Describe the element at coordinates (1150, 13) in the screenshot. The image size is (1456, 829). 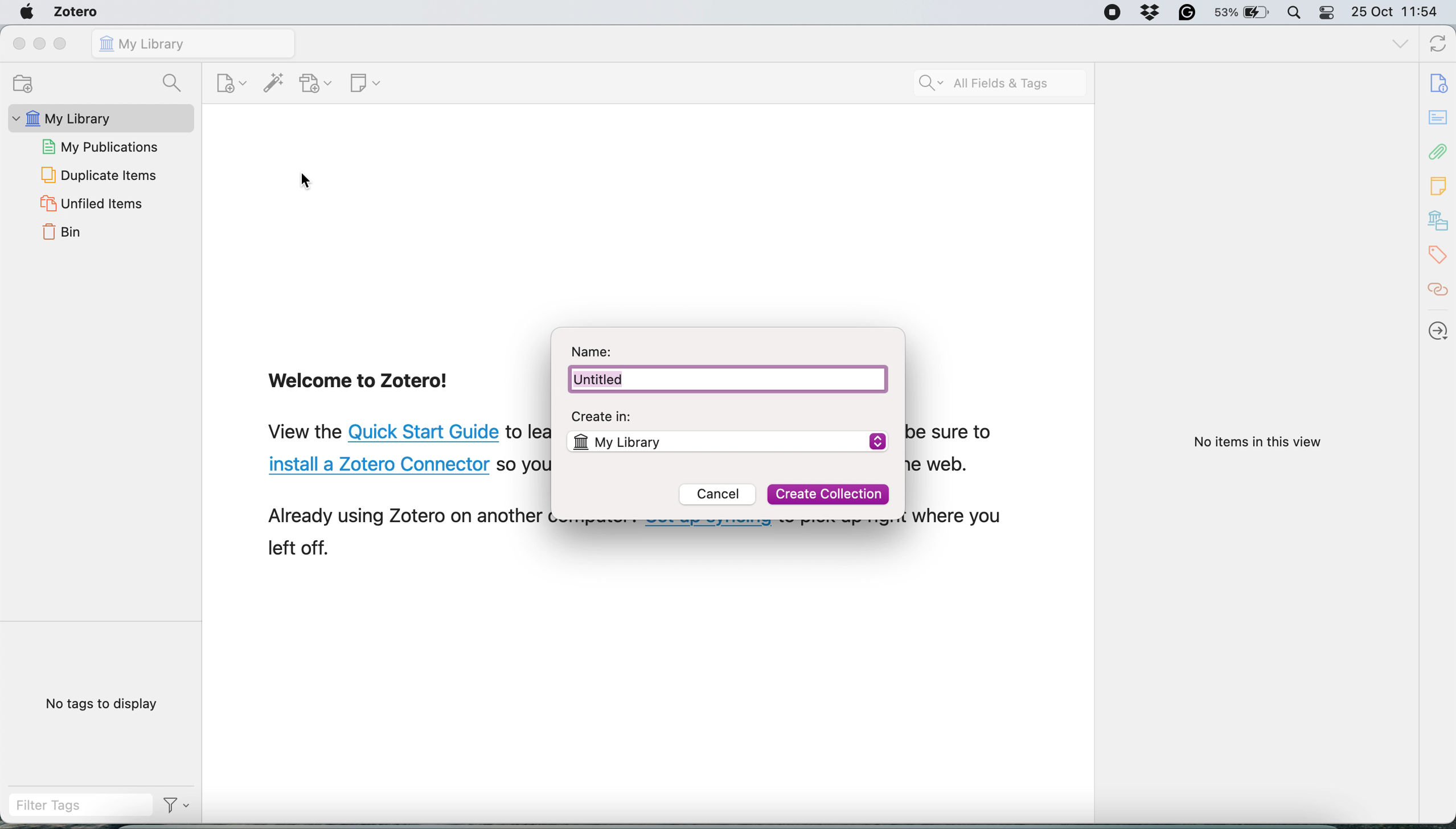
I see `dropbox` at that location.